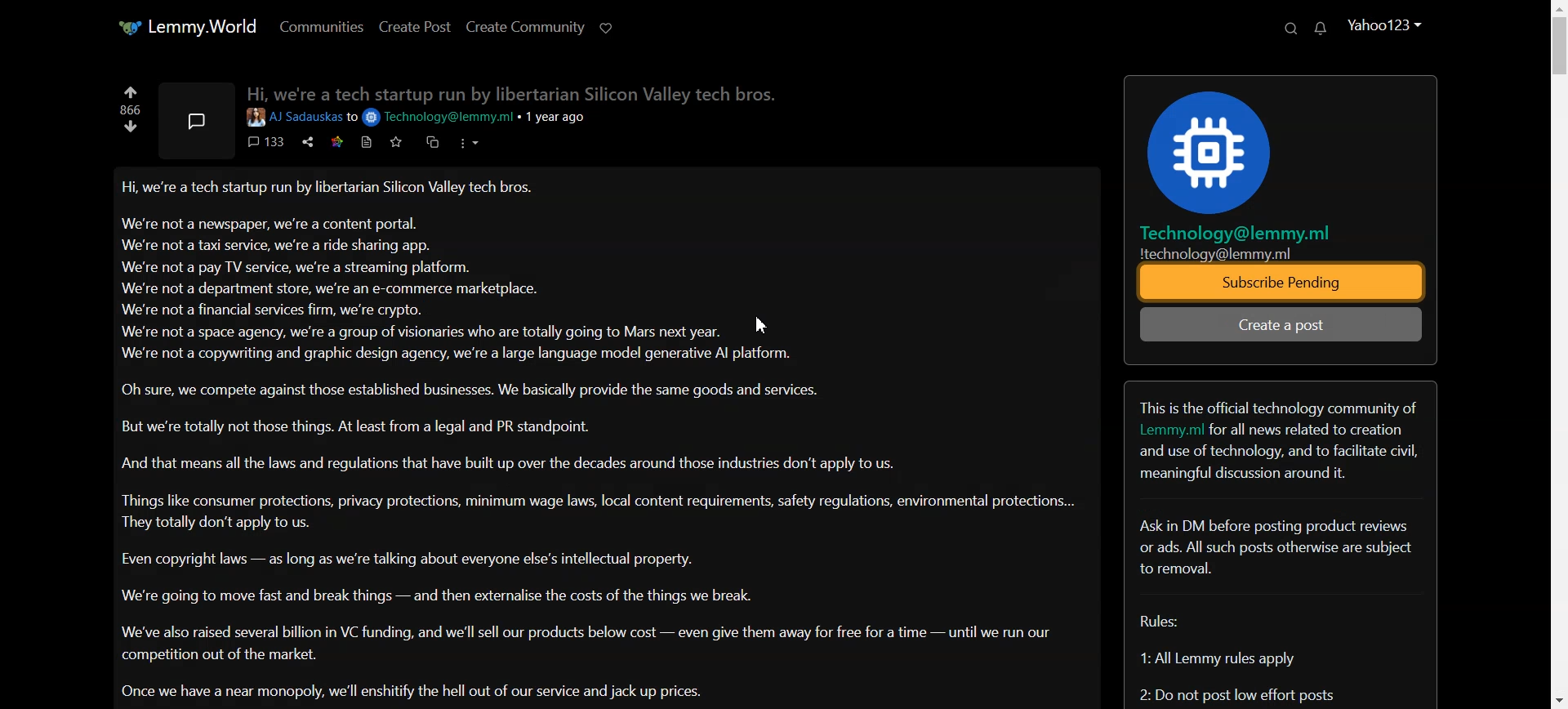 The image size is (1568, 709). What do you see at coordinates (324, 27) in the screenshot?
I see `Communities` at bounding box center [324, 27].